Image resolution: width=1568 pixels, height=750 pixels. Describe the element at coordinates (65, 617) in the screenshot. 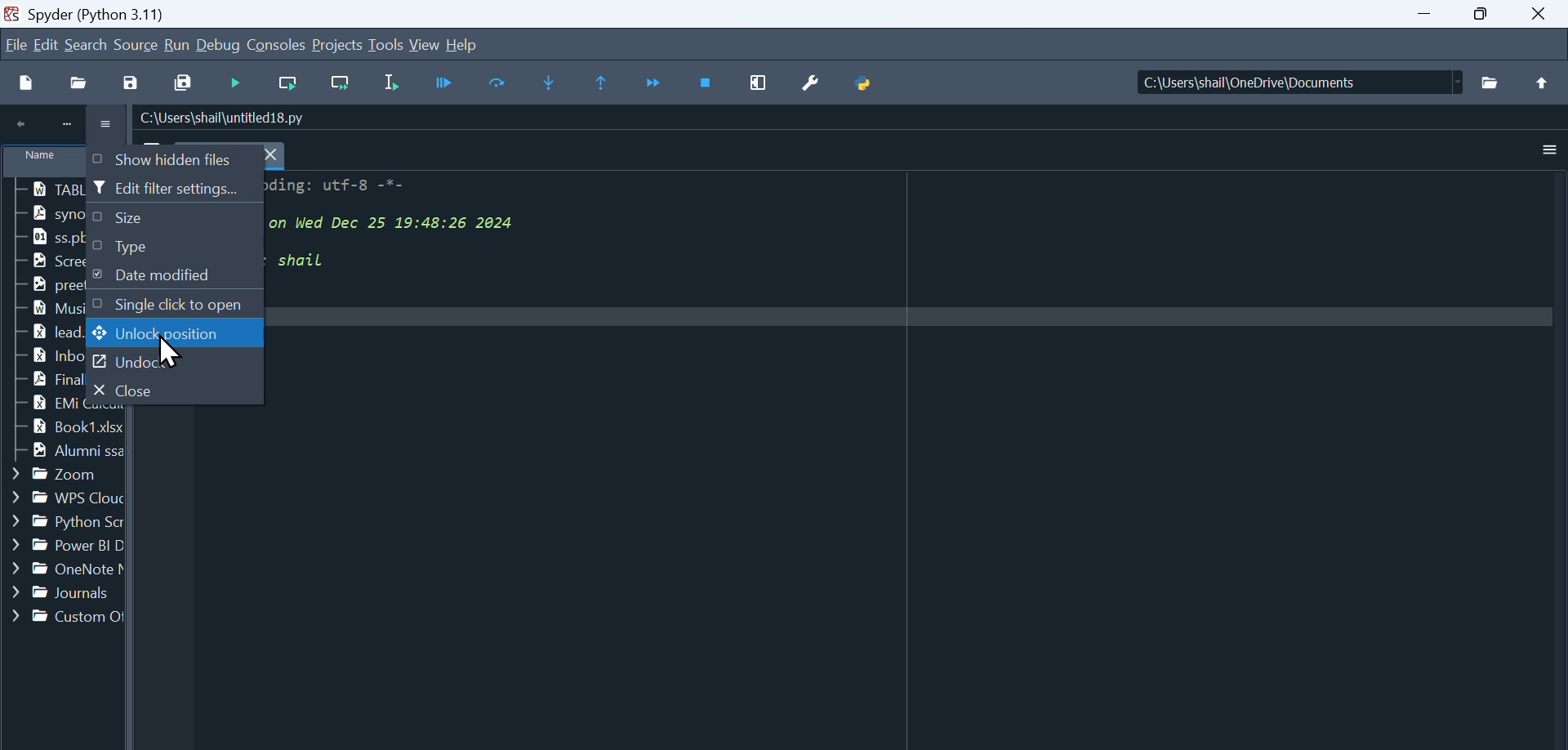

I see `Custom Of` at that location.